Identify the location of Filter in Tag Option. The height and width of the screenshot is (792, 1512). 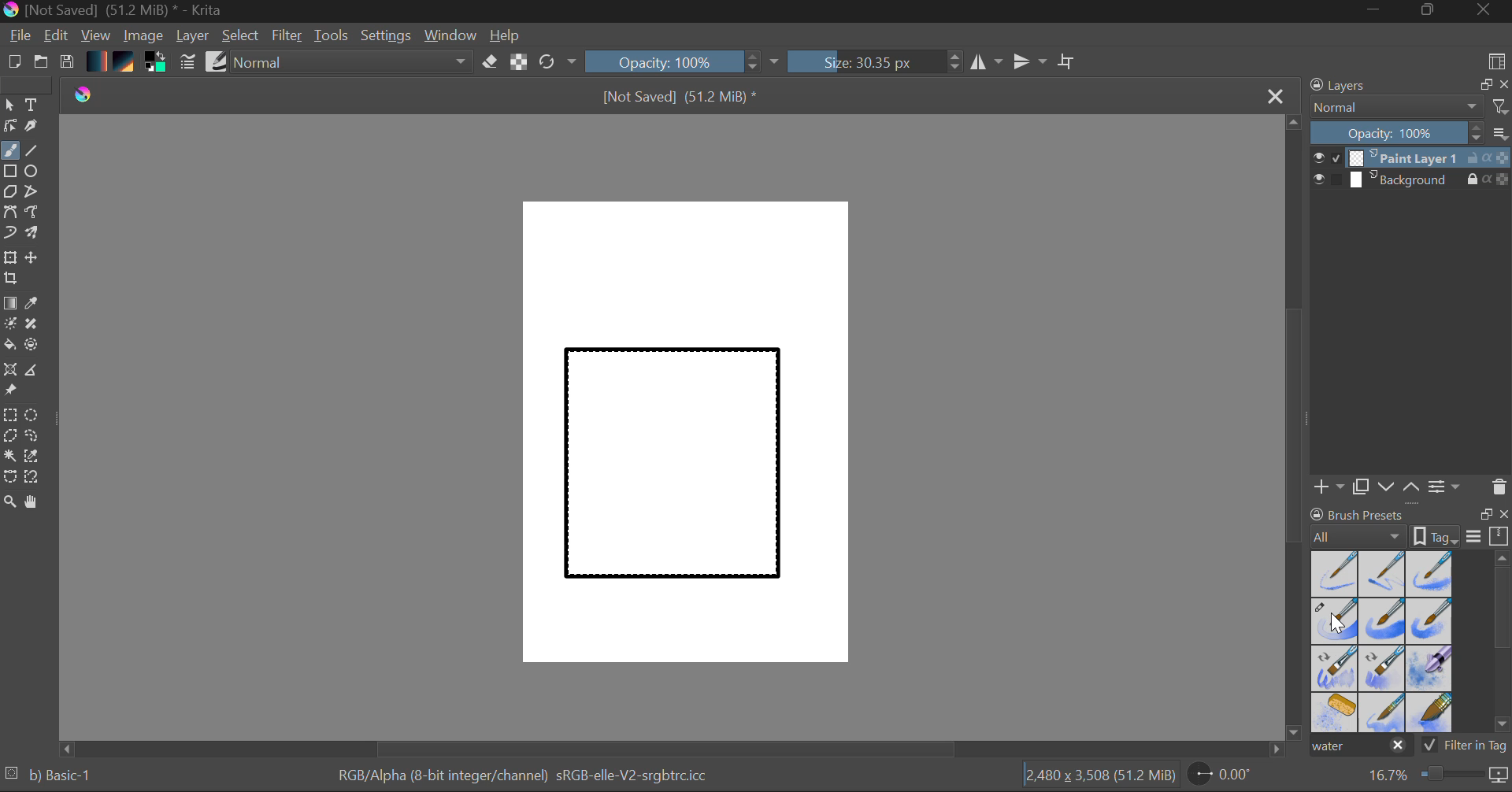
(1466, 747).